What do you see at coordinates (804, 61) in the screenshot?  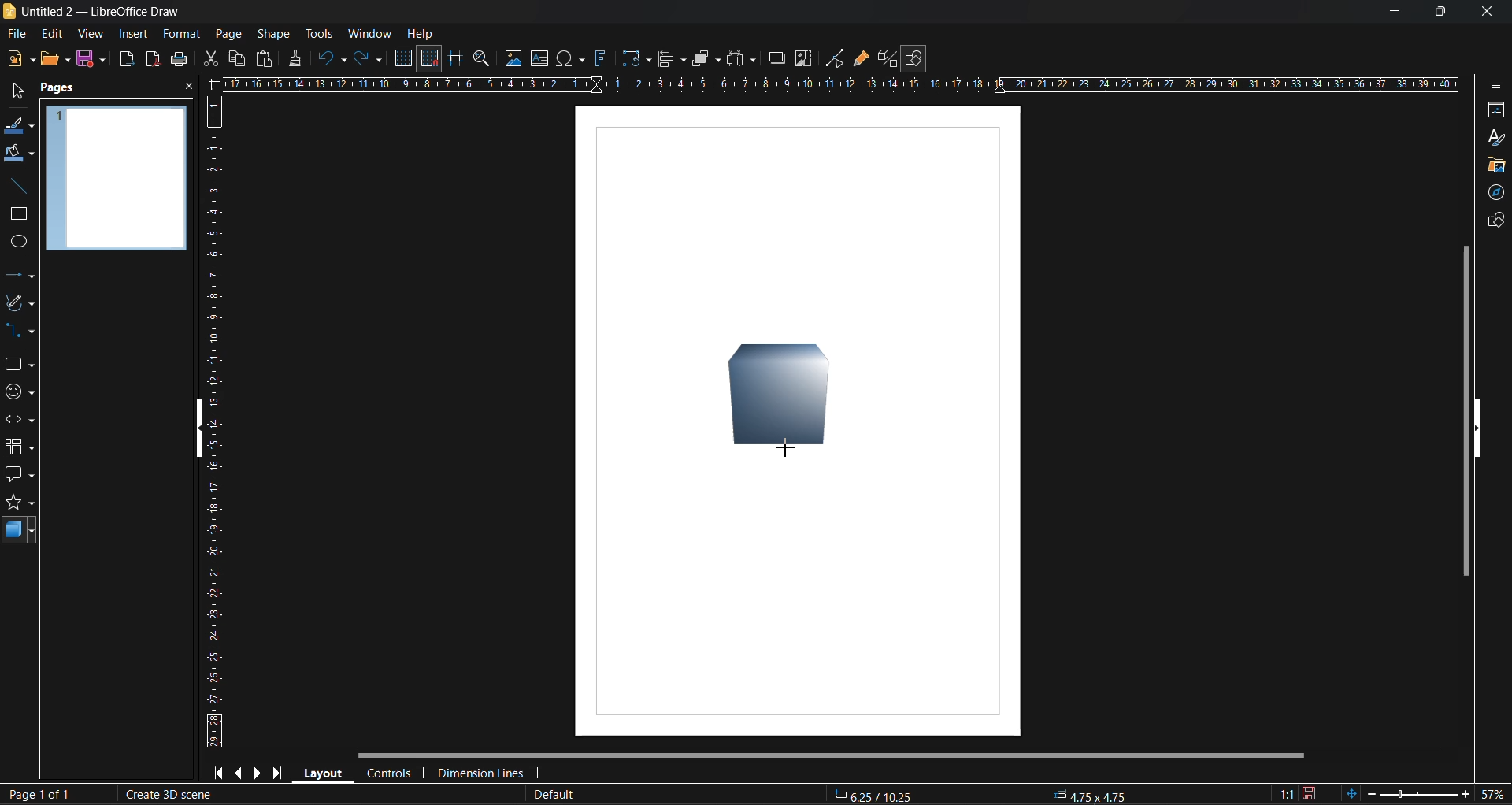 I see `crop image` at bounding box center [804, 61].